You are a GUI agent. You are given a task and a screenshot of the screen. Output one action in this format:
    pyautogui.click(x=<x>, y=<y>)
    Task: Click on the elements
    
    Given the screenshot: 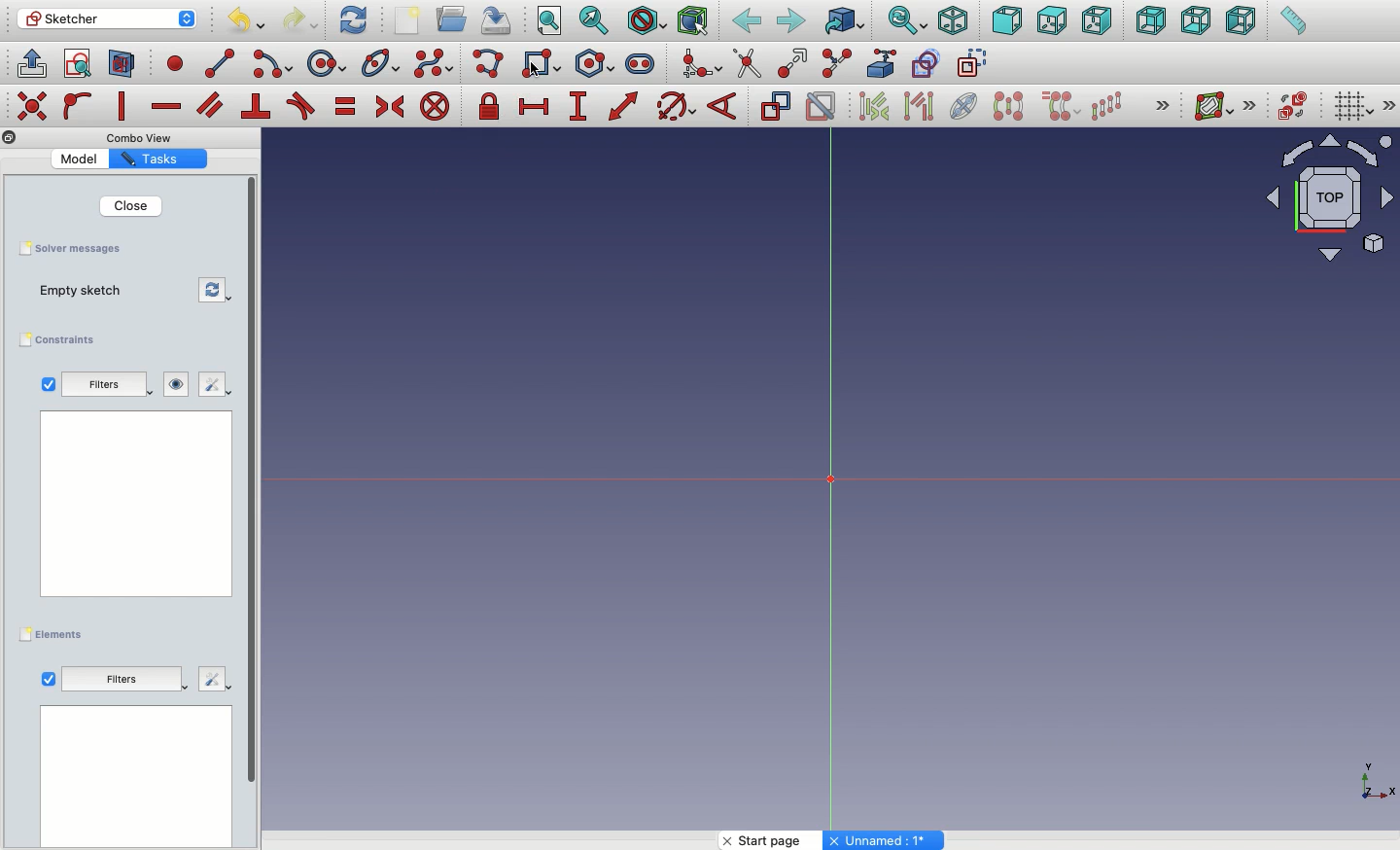 What is the action you would take?
    pyautogui.click(x=54, y=635)
    